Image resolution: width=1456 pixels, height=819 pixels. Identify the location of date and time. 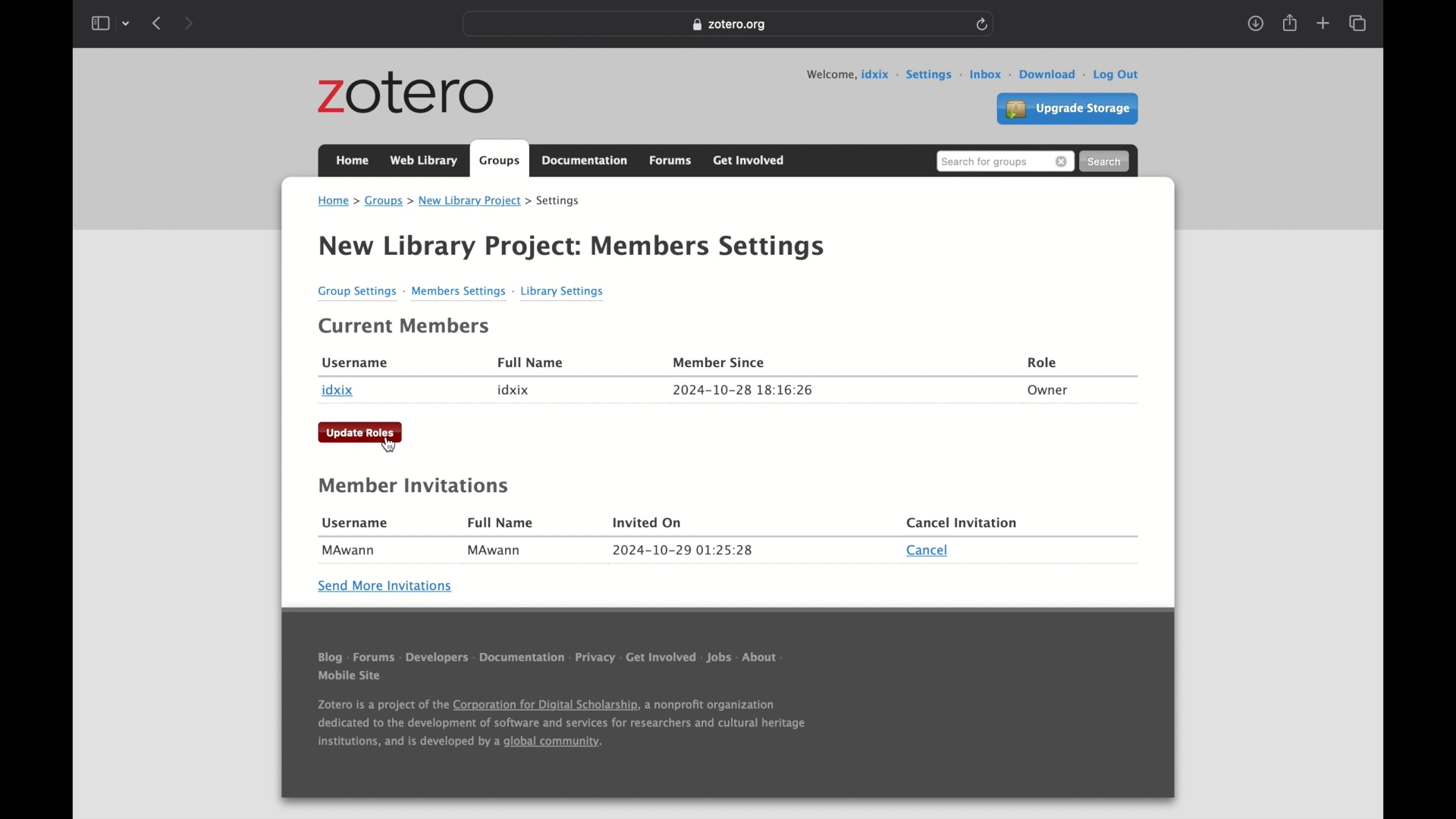
(683, 551).